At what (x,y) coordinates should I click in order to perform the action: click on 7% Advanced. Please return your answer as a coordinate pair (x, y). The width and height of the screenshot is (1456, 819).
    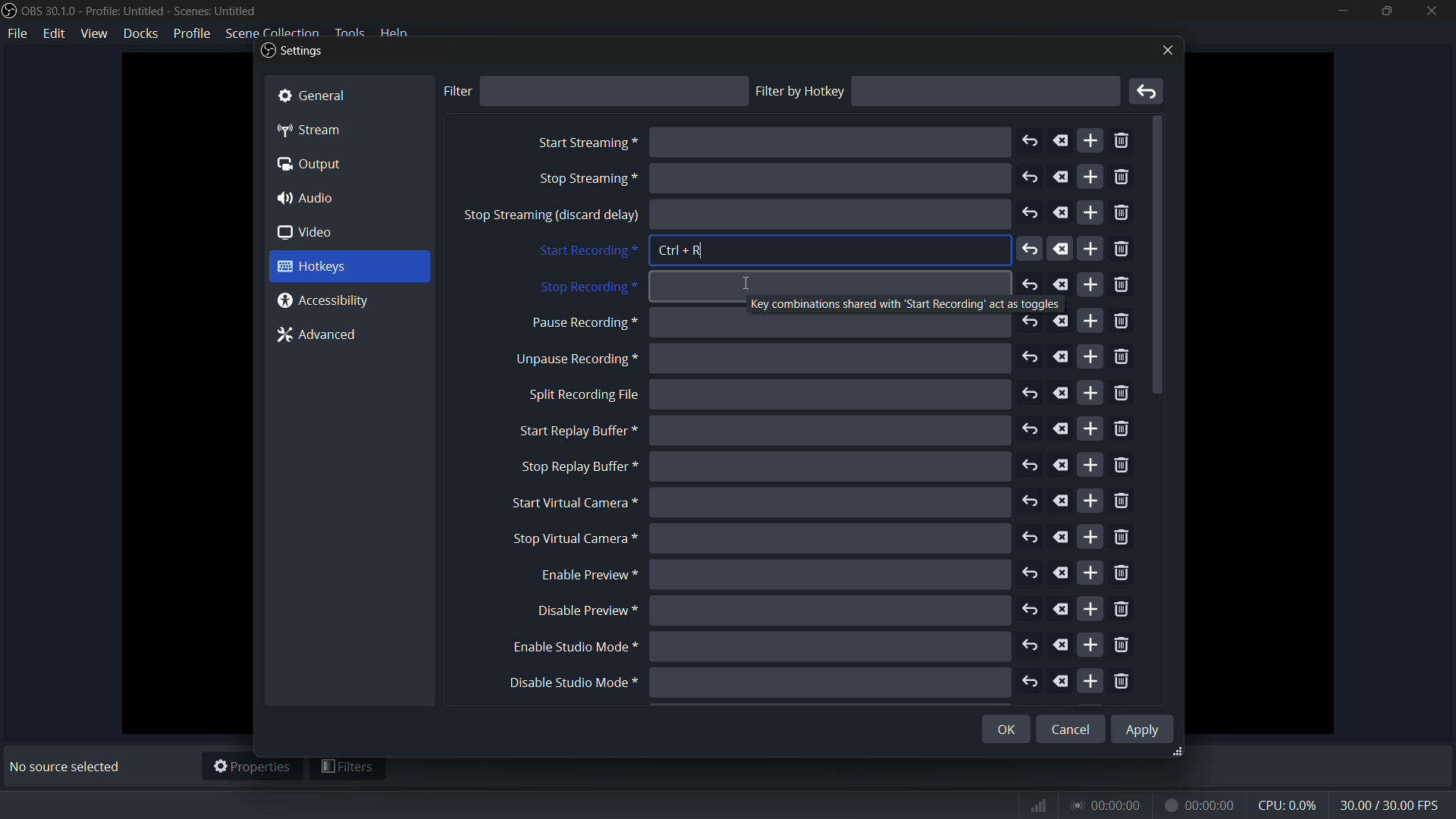
    Looking at the image, I should click on (324, 337).